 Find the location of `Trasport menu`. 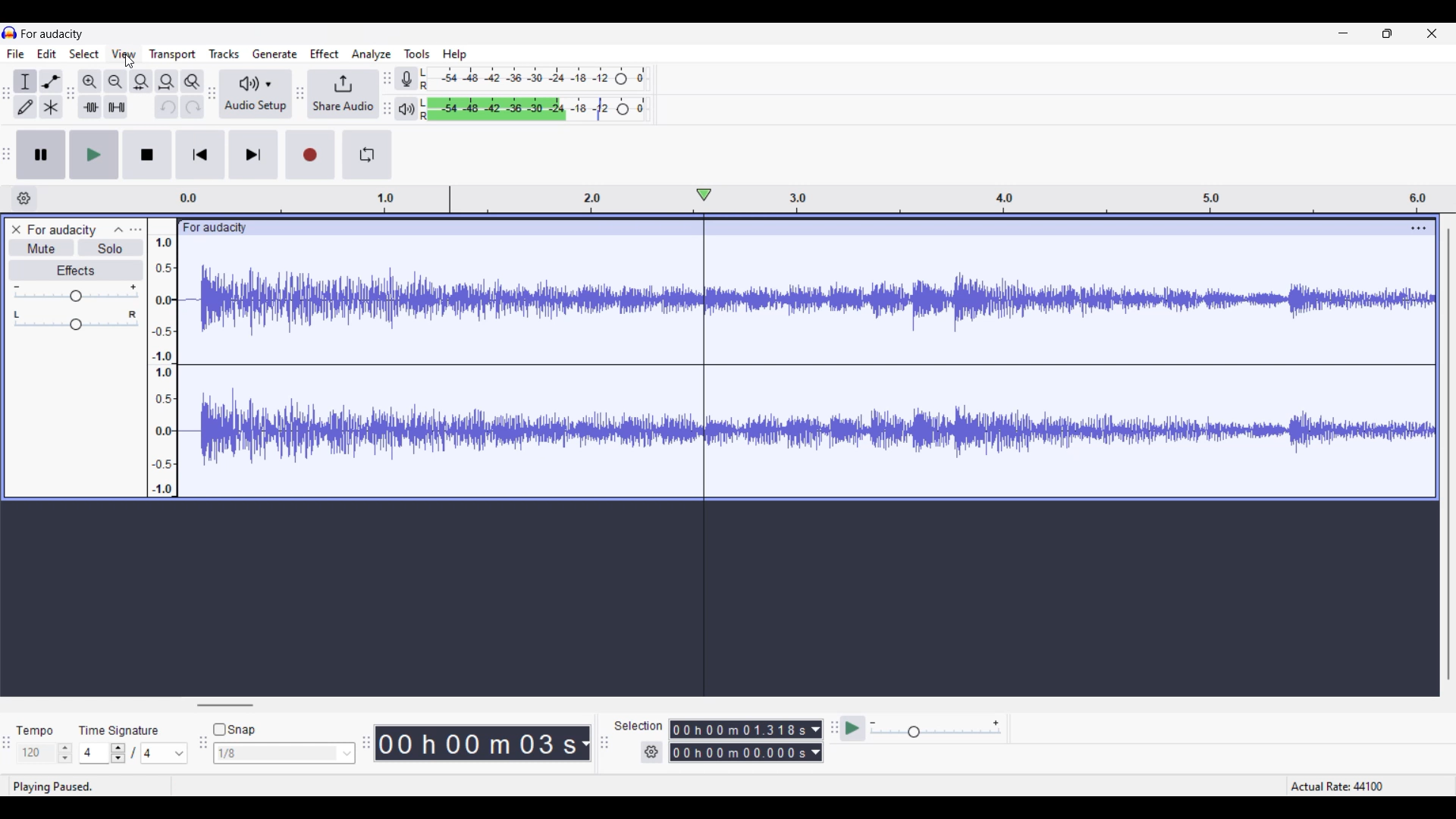

Trasport menu is located at coordinates (173, 55).